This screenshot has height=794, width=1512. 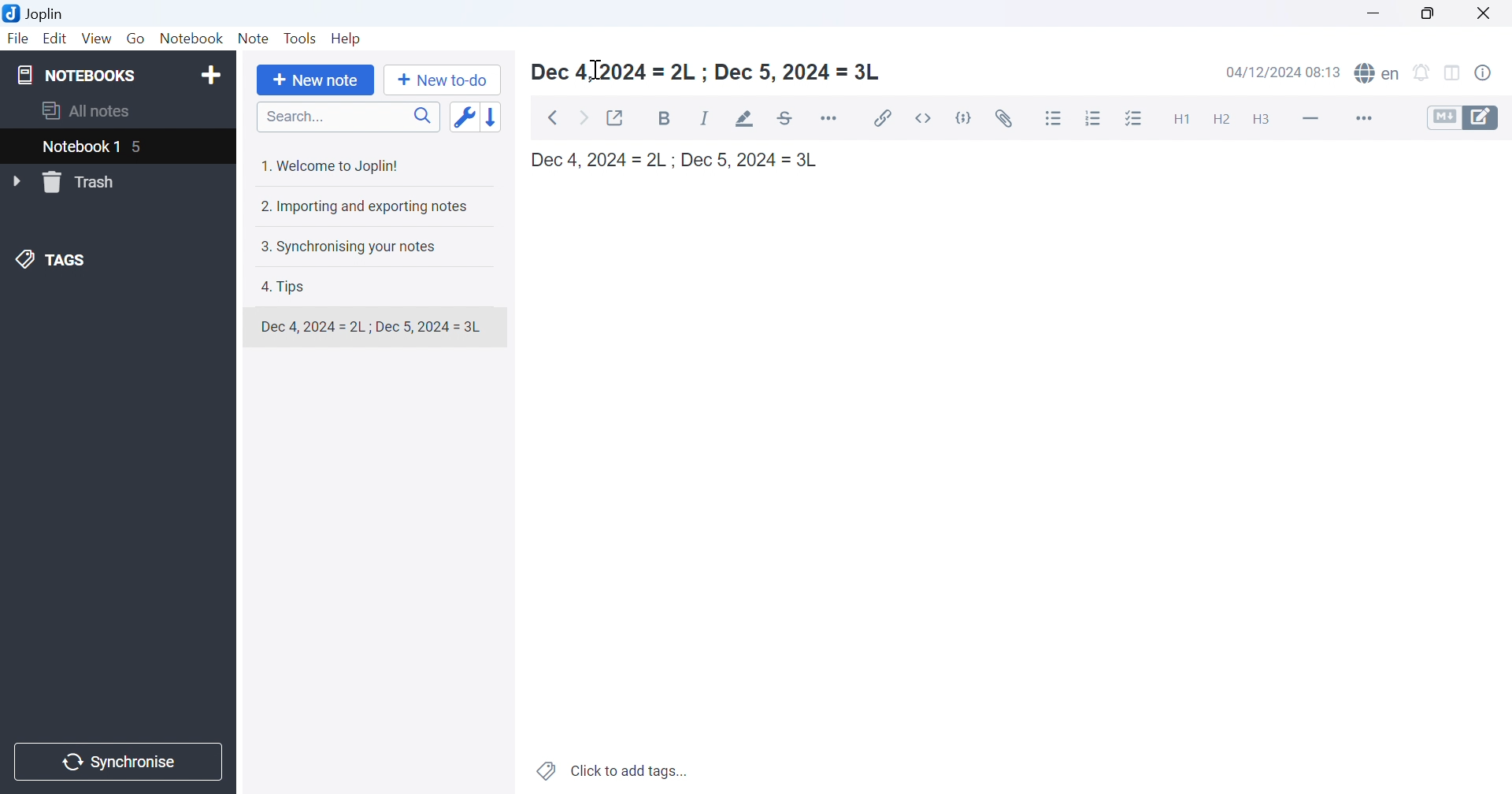 What do you see at coordinates (1464, 118) in the screenshot?
I see `Toggle editors` at bounding box center [1464, 118].